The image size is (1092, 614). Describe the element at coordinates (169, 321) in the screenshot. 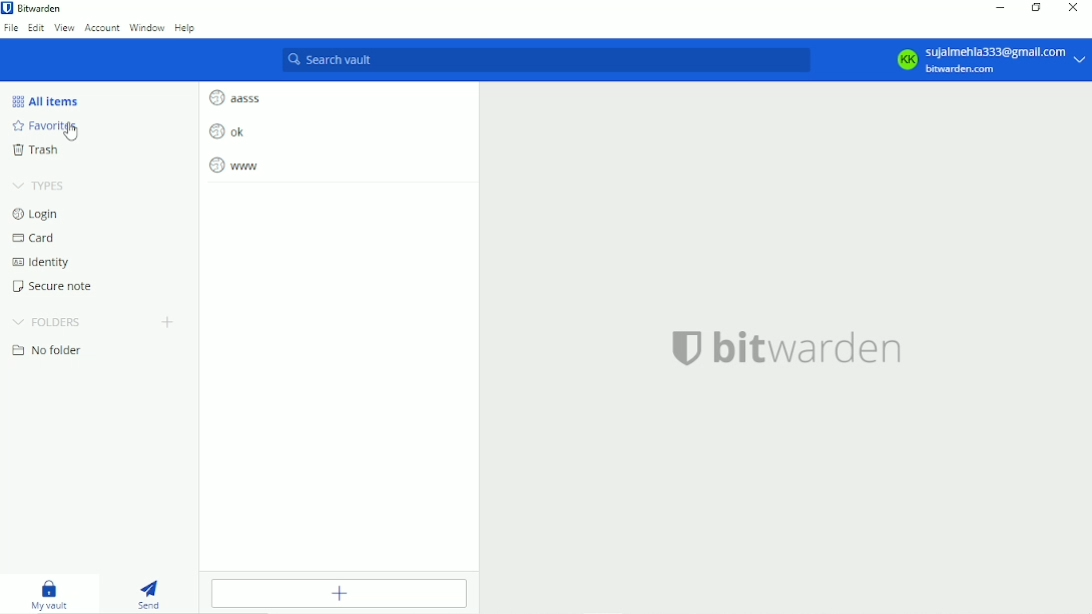

I see `Create folder` at that location.